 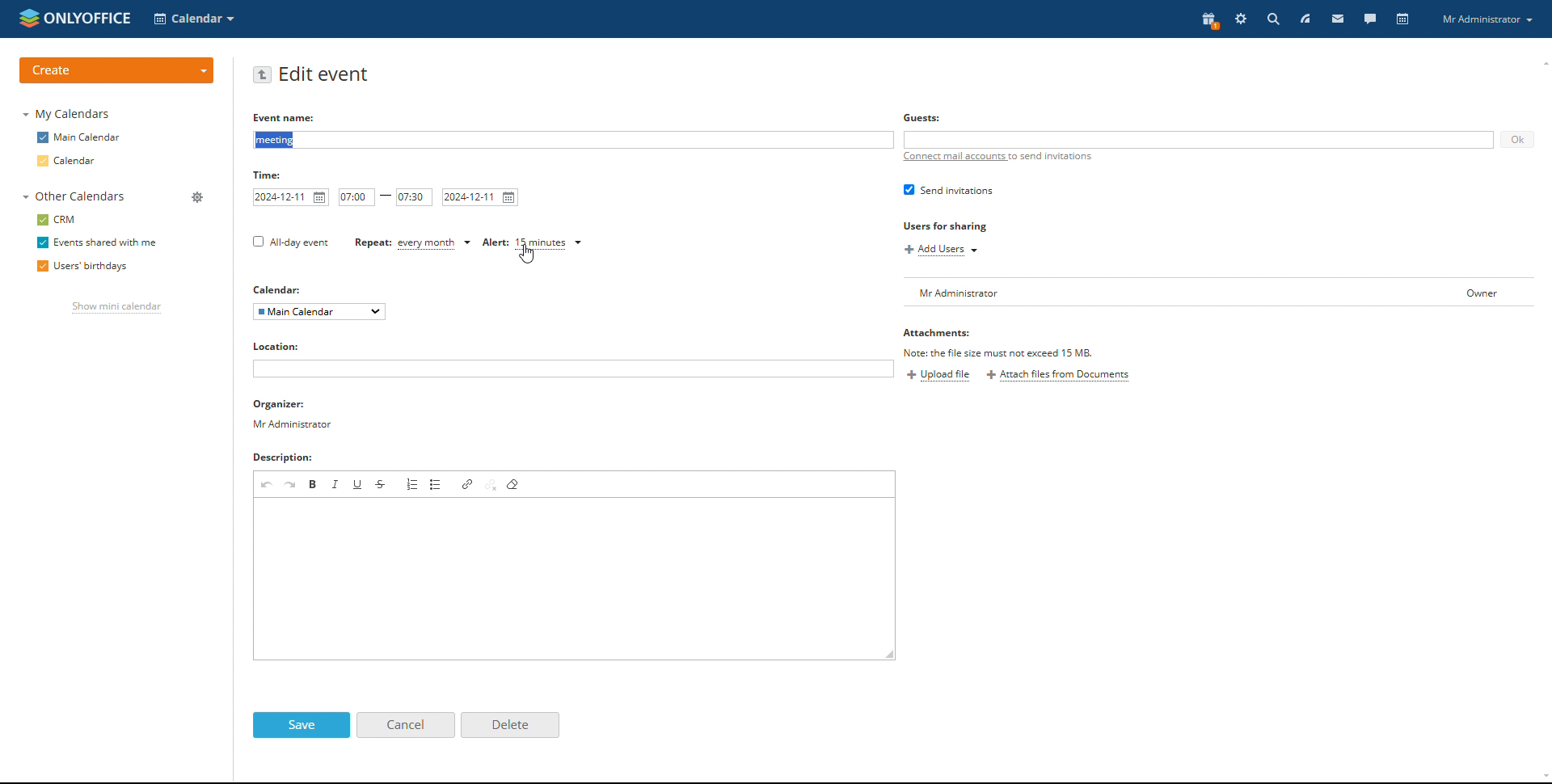 I want to click on add guests, so click(x=1200, y=139).